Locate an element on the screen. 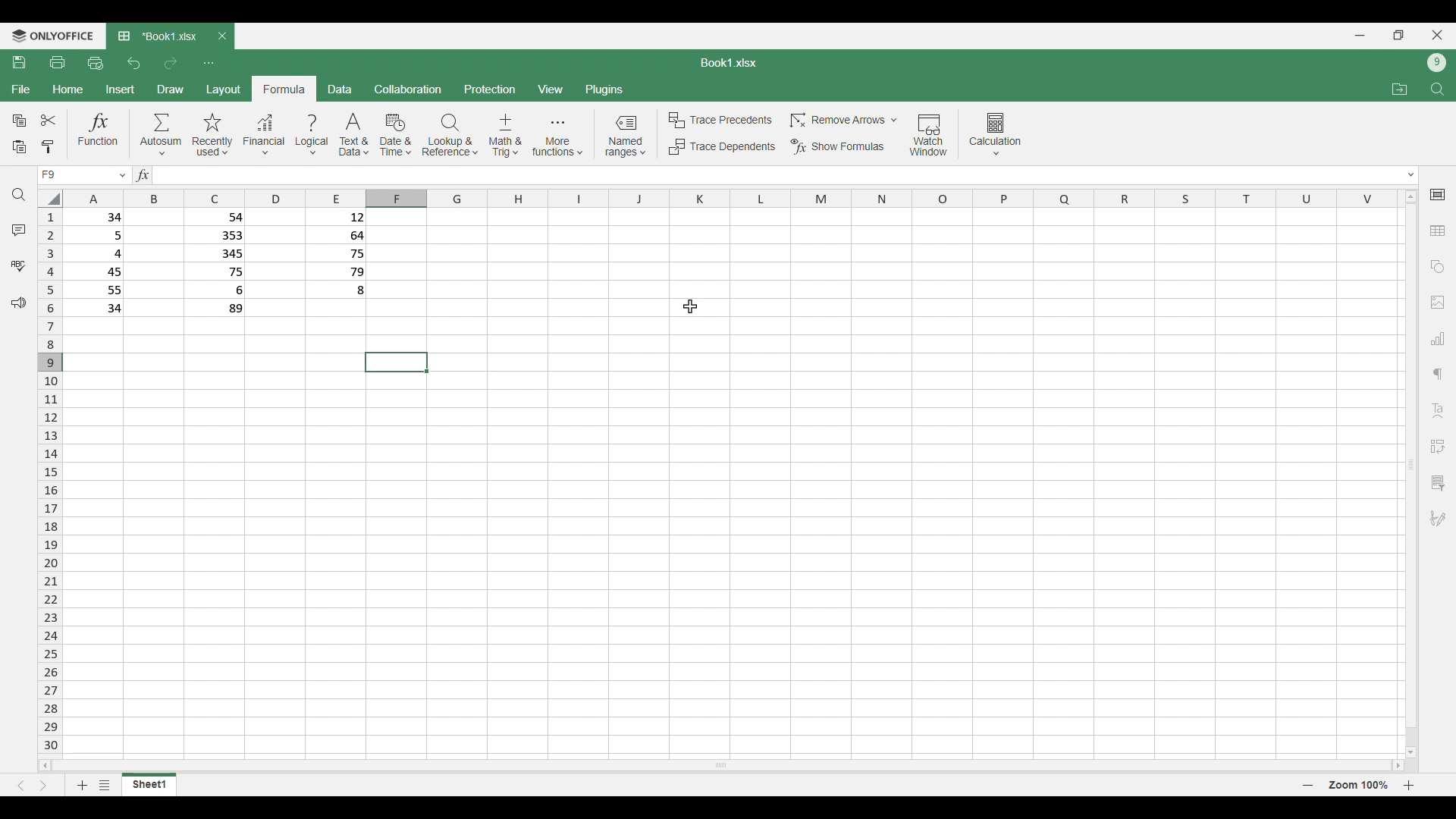  Named ranges is located at coordinates (625, 136).